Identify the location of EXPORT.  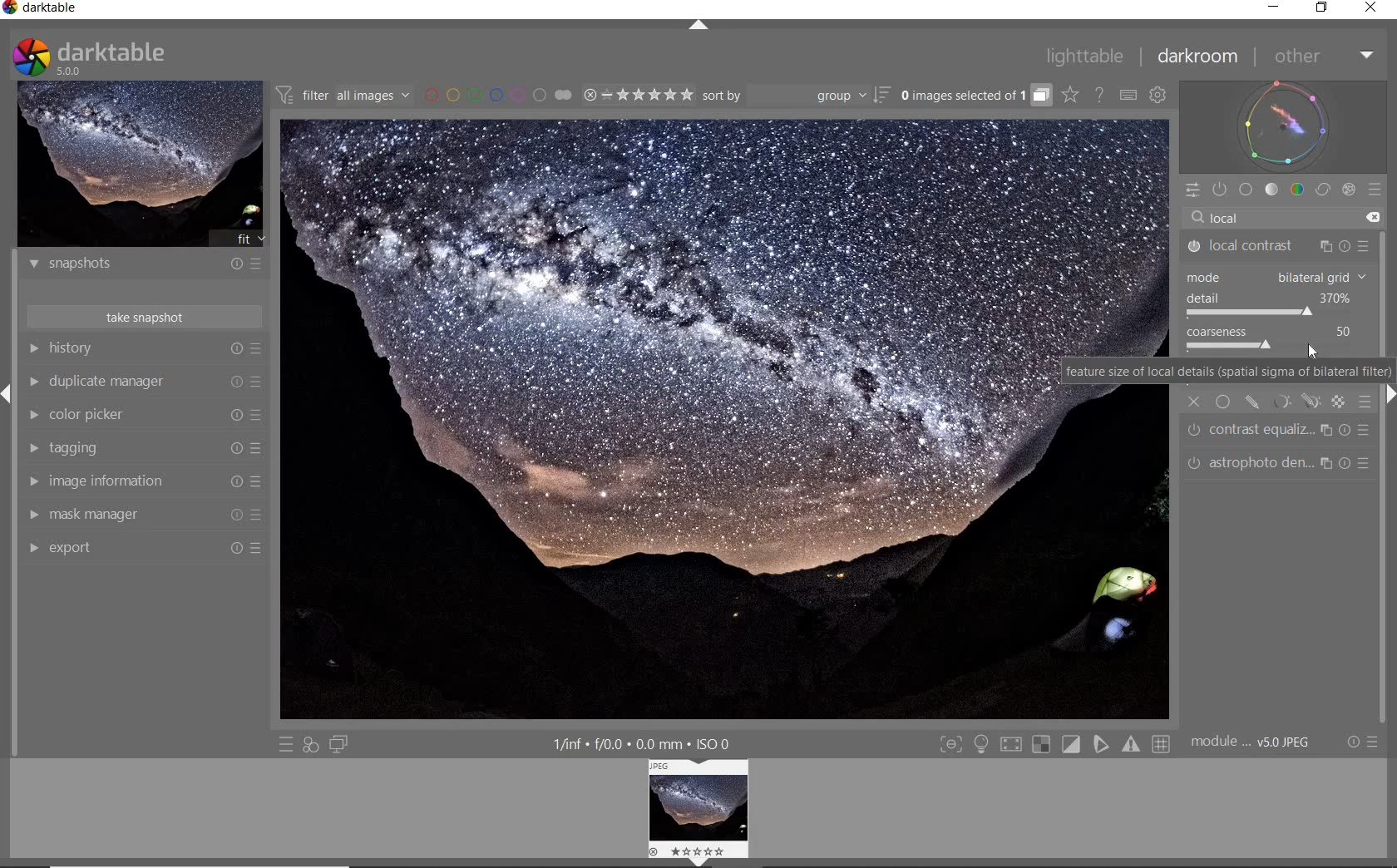
(32, 550).